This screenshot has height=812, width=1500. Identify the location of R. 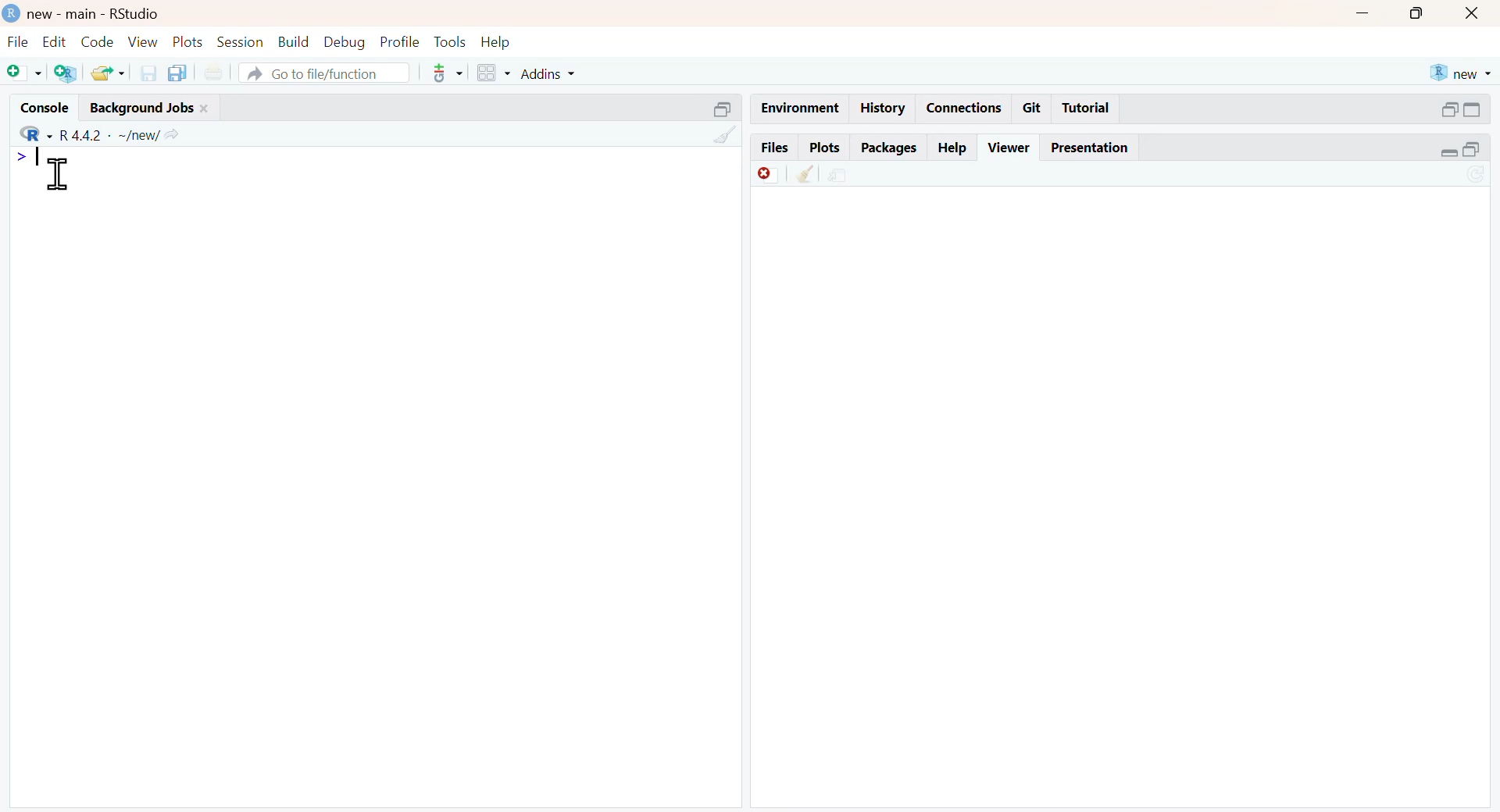
(37, 133).